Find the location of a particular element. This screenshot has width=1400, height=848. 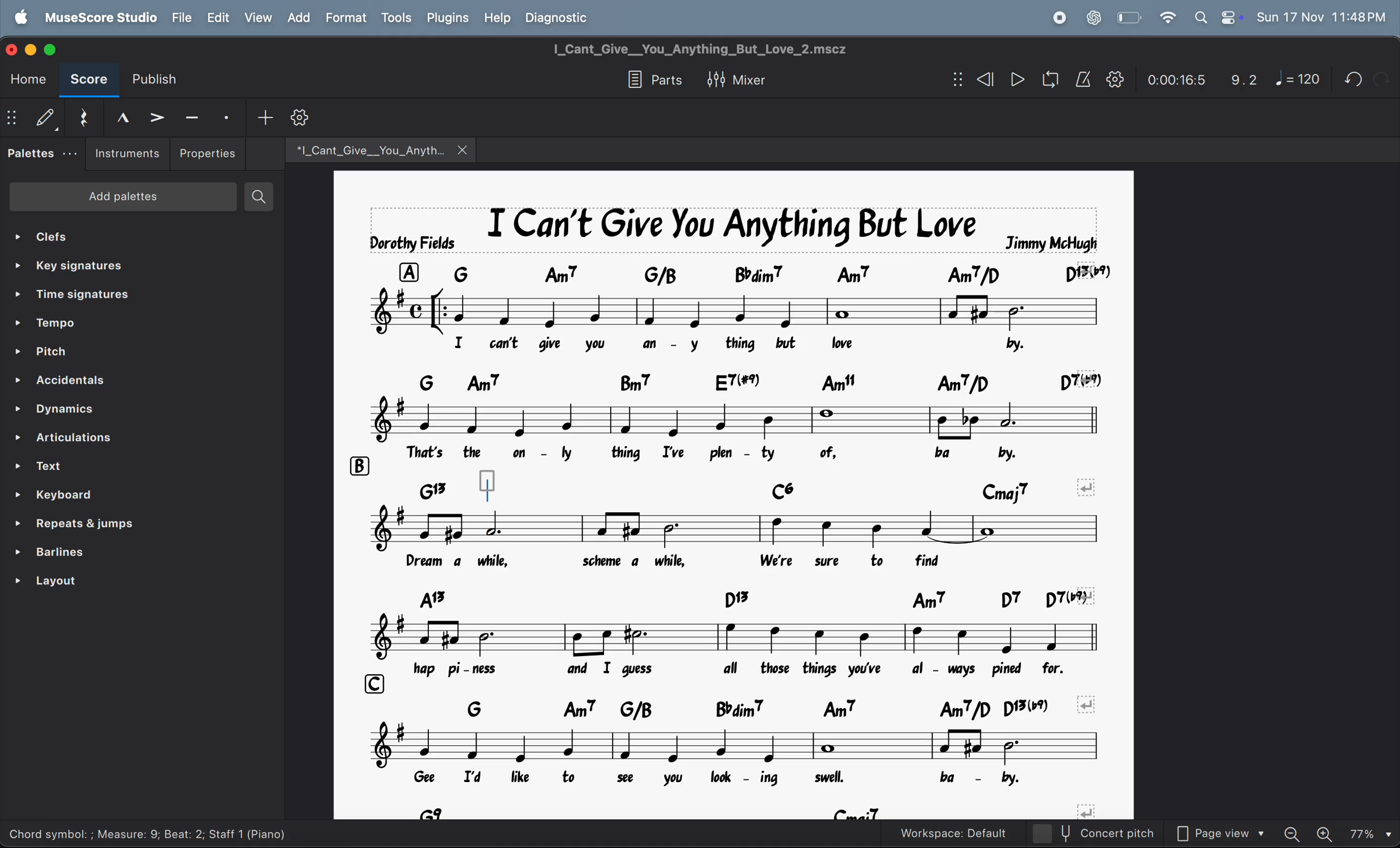

add palettes is located at coordinates (121, 197).